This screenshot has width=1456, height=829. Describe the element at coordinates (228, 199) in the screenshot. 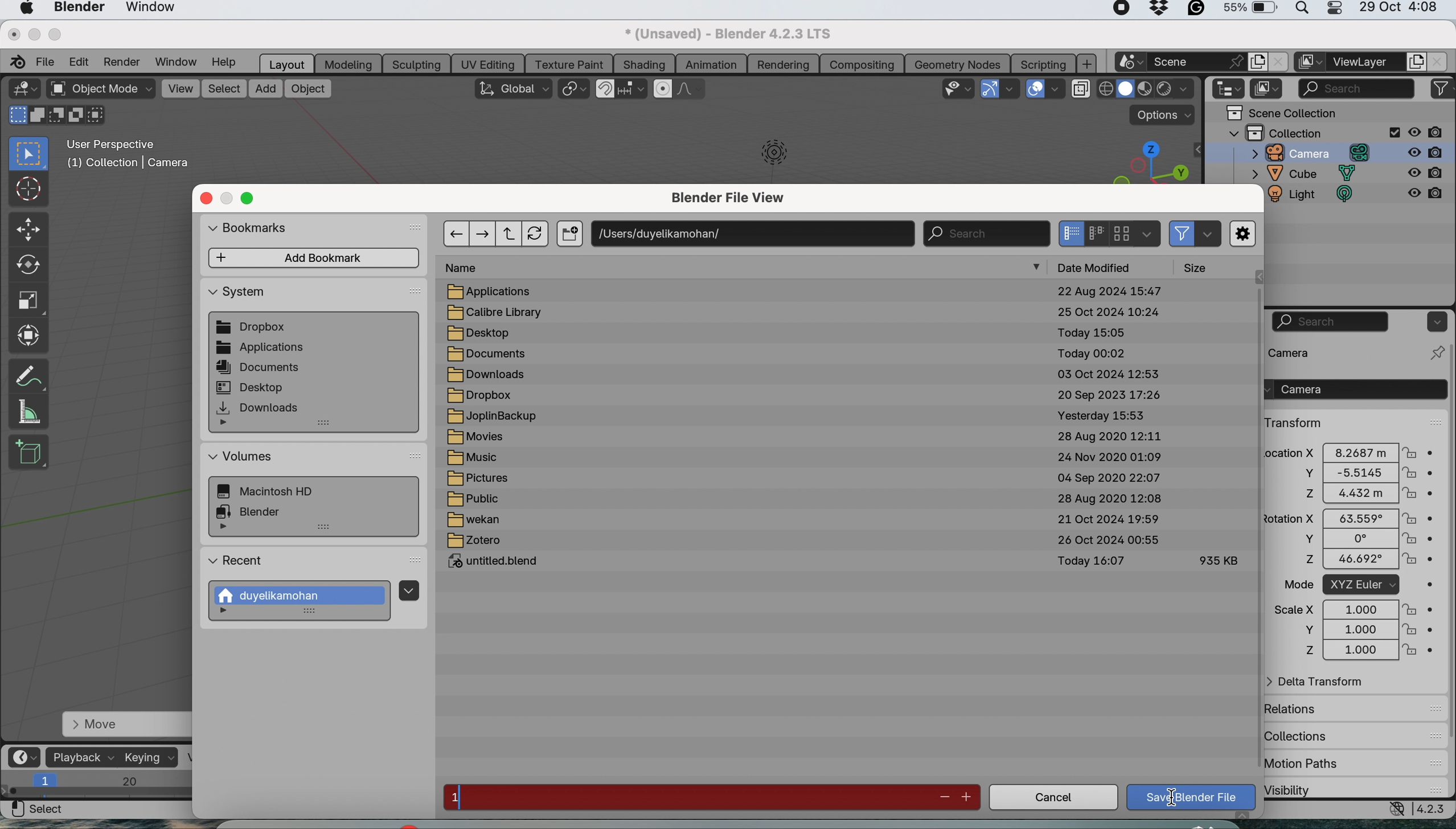

I see `minimize` at that location.